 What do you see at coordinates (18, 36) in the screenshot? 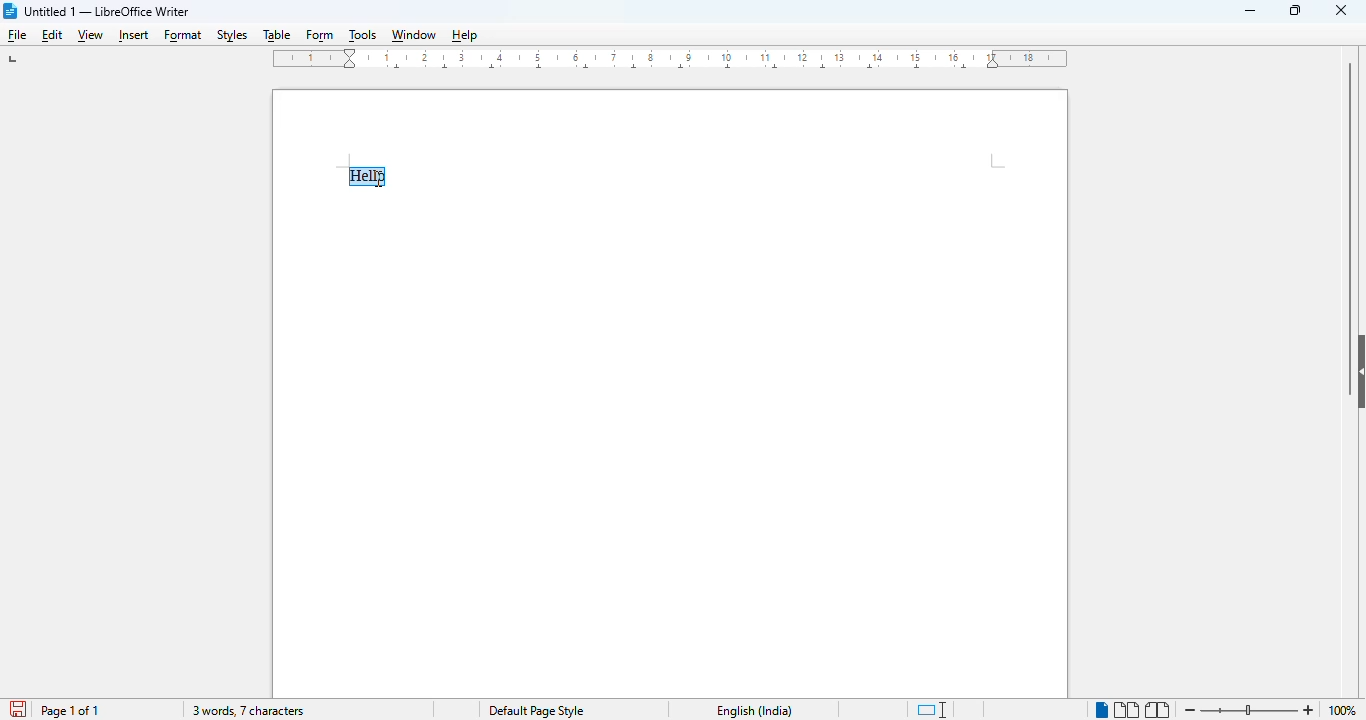
I see `file` at bounding box center [18, 36].